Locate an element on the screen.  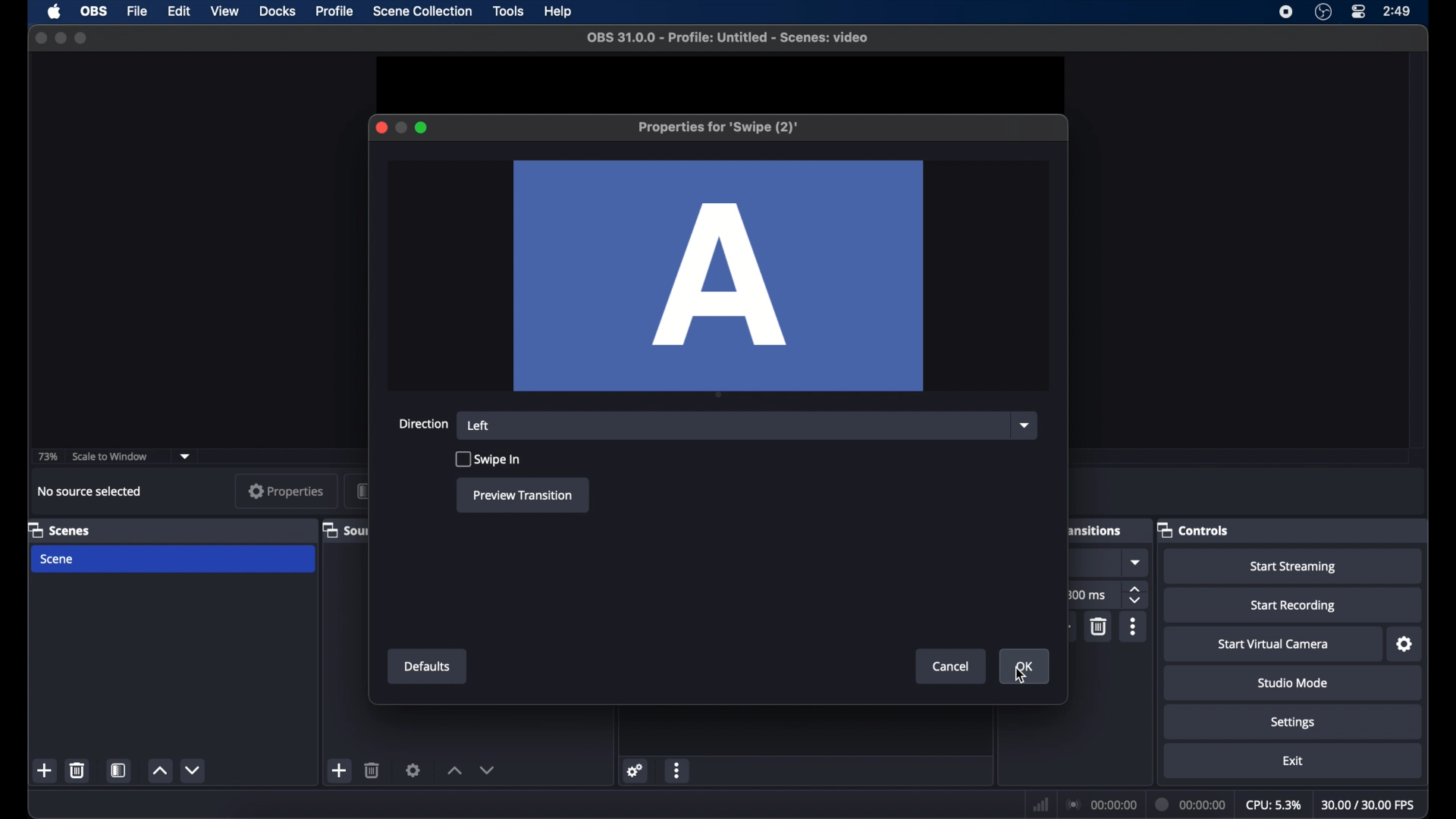
dropdown is located at coordinates (1025, 424).